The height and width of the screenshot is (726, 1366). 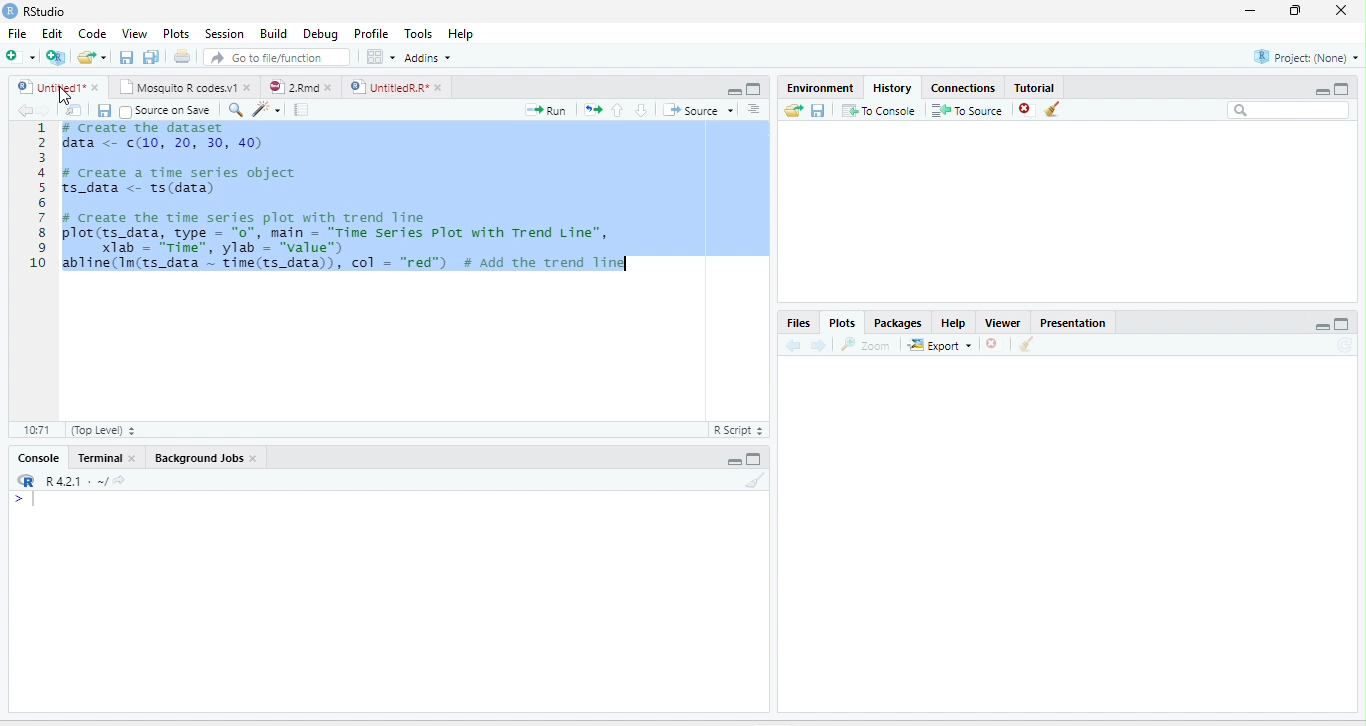 I want to click on New line, so click(x=25, y=500).